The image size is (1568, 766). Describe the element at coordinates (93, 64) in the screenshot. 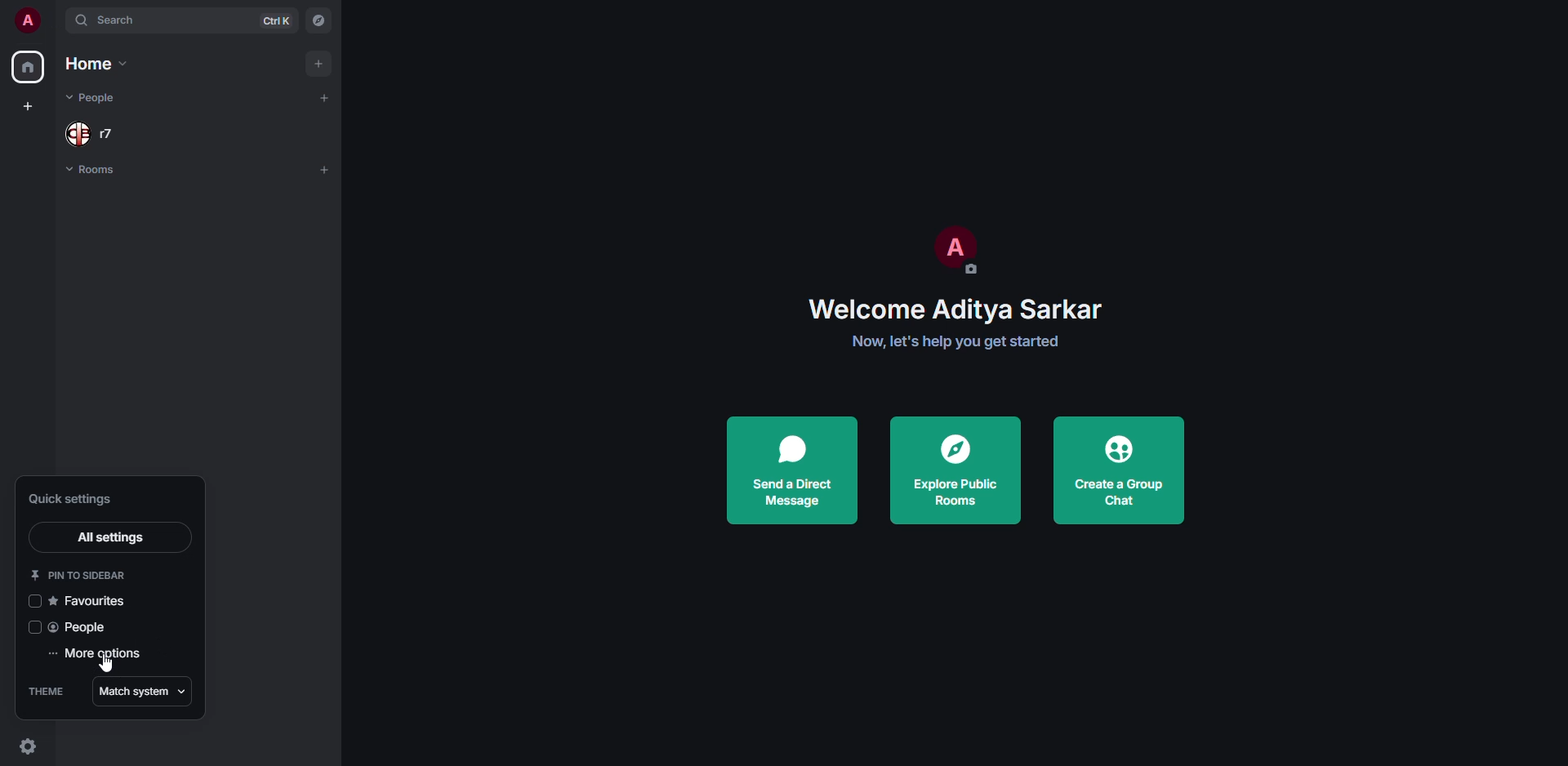

I see `home` at that location.